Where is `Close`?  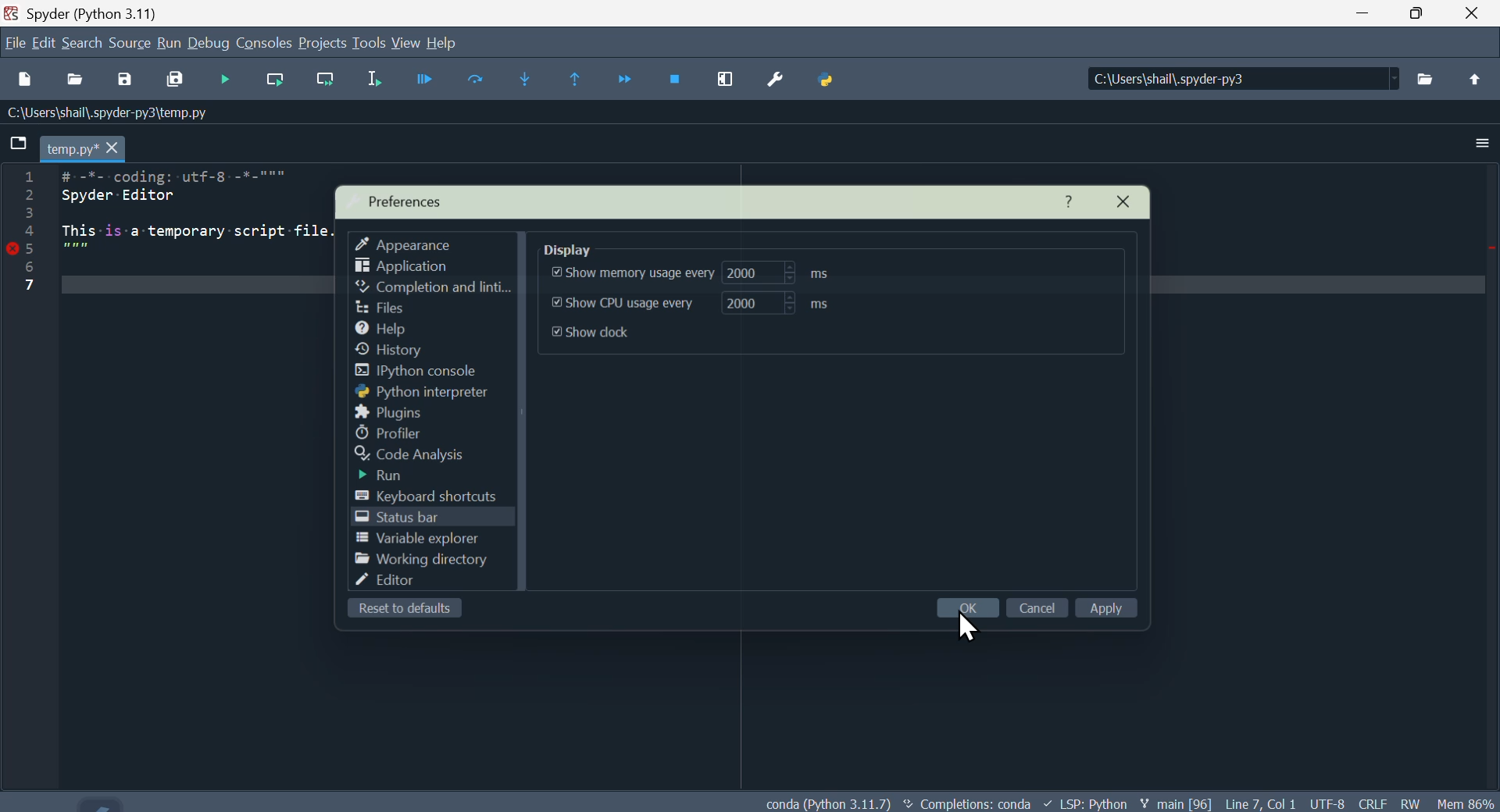
Close is located at coordinates (1476, 15).